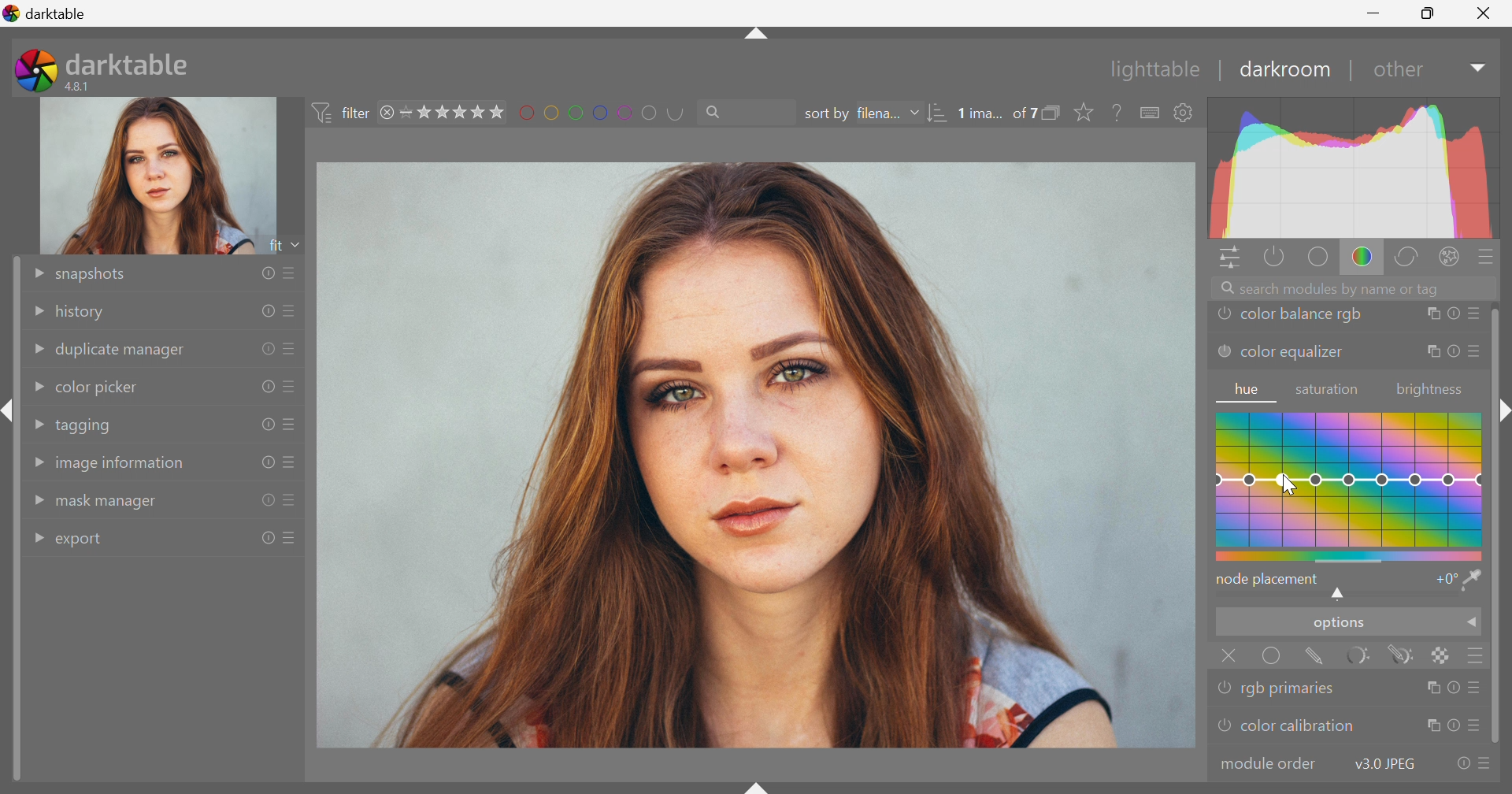 The width and height of the screenshot is (1512, 794). What do you see at coordinates (1330, 390) in the screenshot?
I see `saturation` at bounding box center [1330, 390].